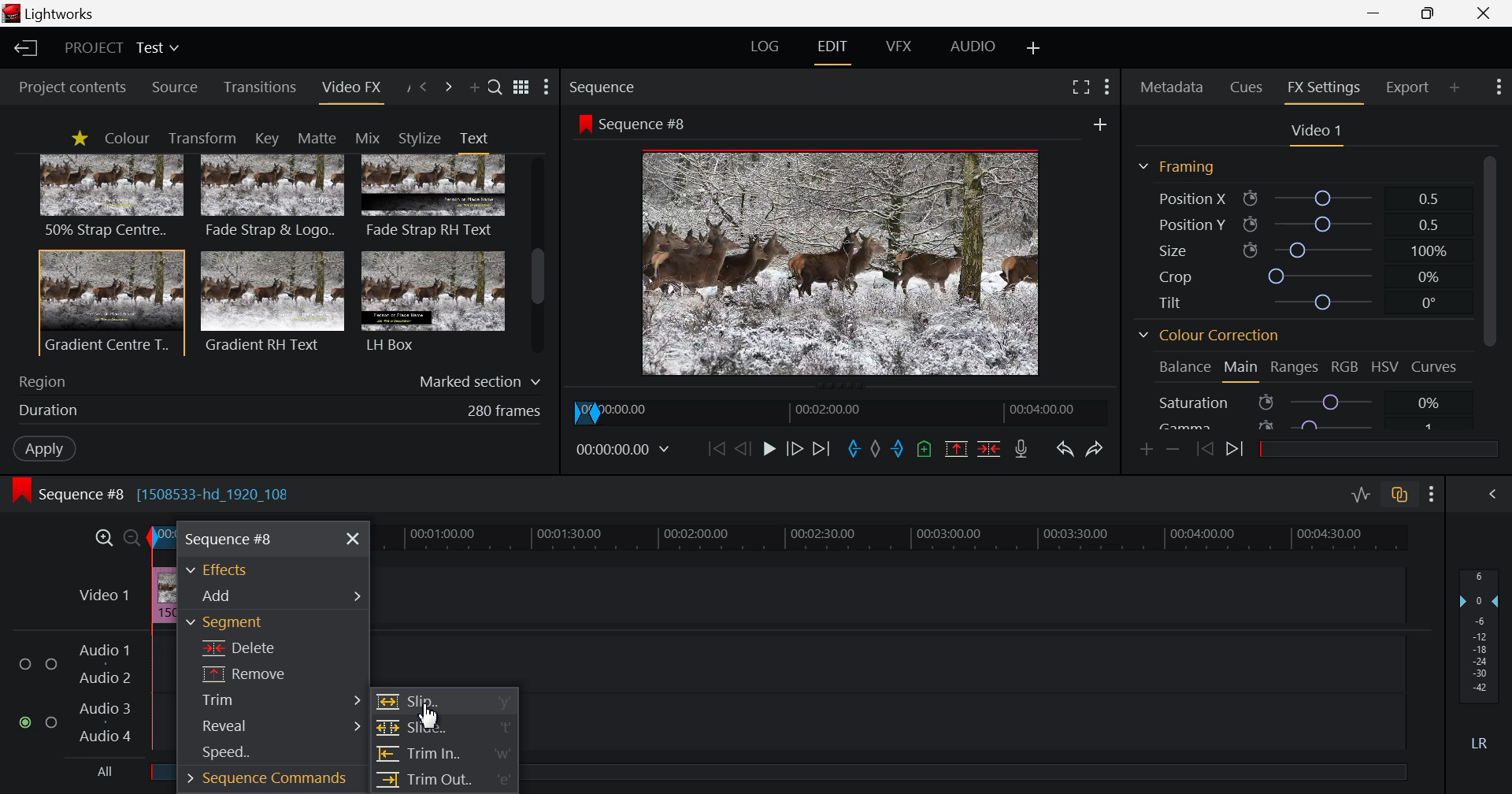 The image size is (1512, 794). Describe the element at coordinates (1082, 87) in the screenshot. I see `Full Screen` at that location.